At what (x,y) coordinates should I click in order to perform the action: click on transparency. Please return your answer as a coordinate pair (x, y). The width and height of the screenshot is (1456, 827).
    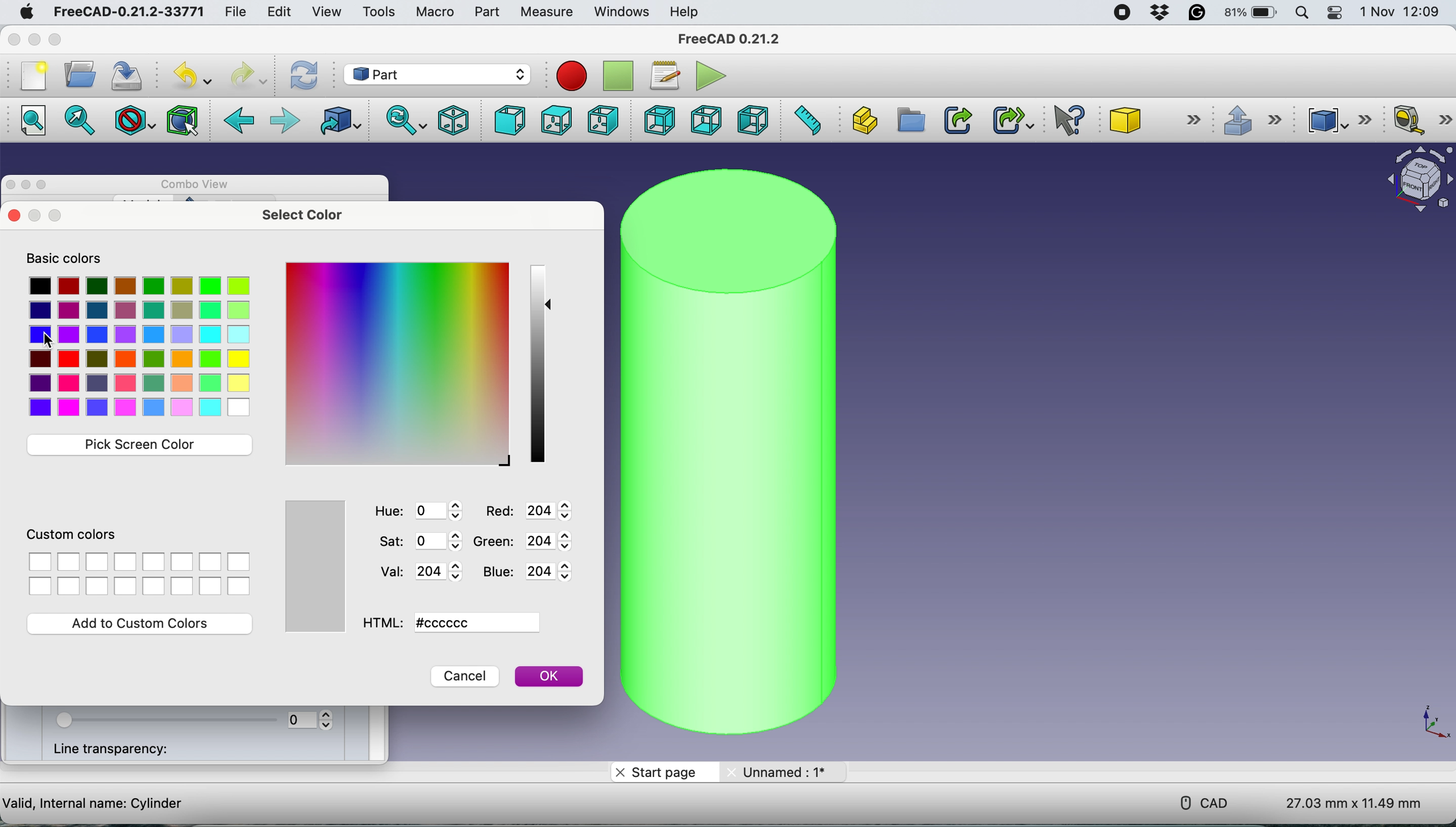
    Looking at the image, I should click on (192, 720).